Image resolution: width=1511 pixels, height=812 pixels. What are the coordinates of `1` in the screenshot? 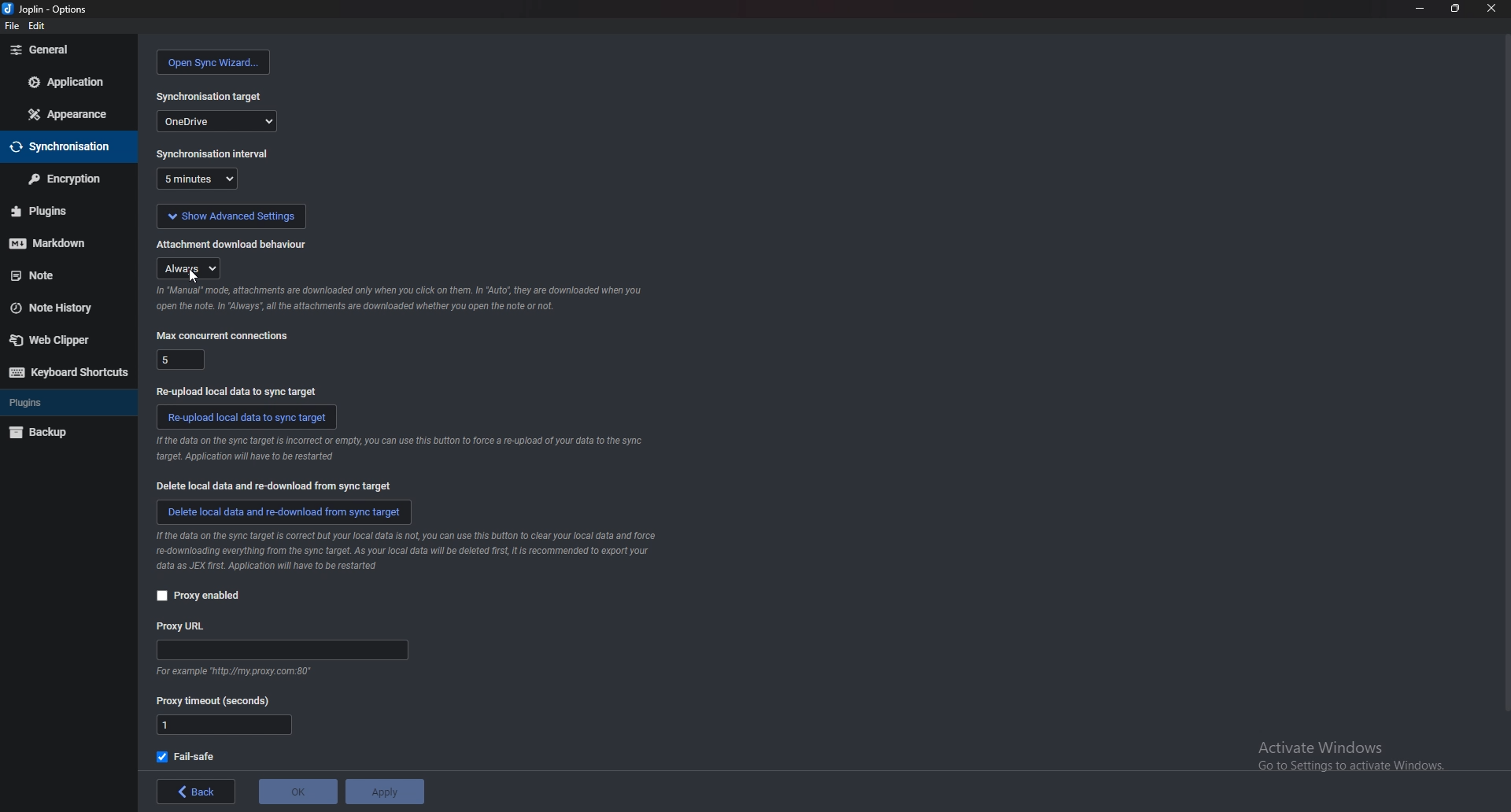 It's located at (224, 725).